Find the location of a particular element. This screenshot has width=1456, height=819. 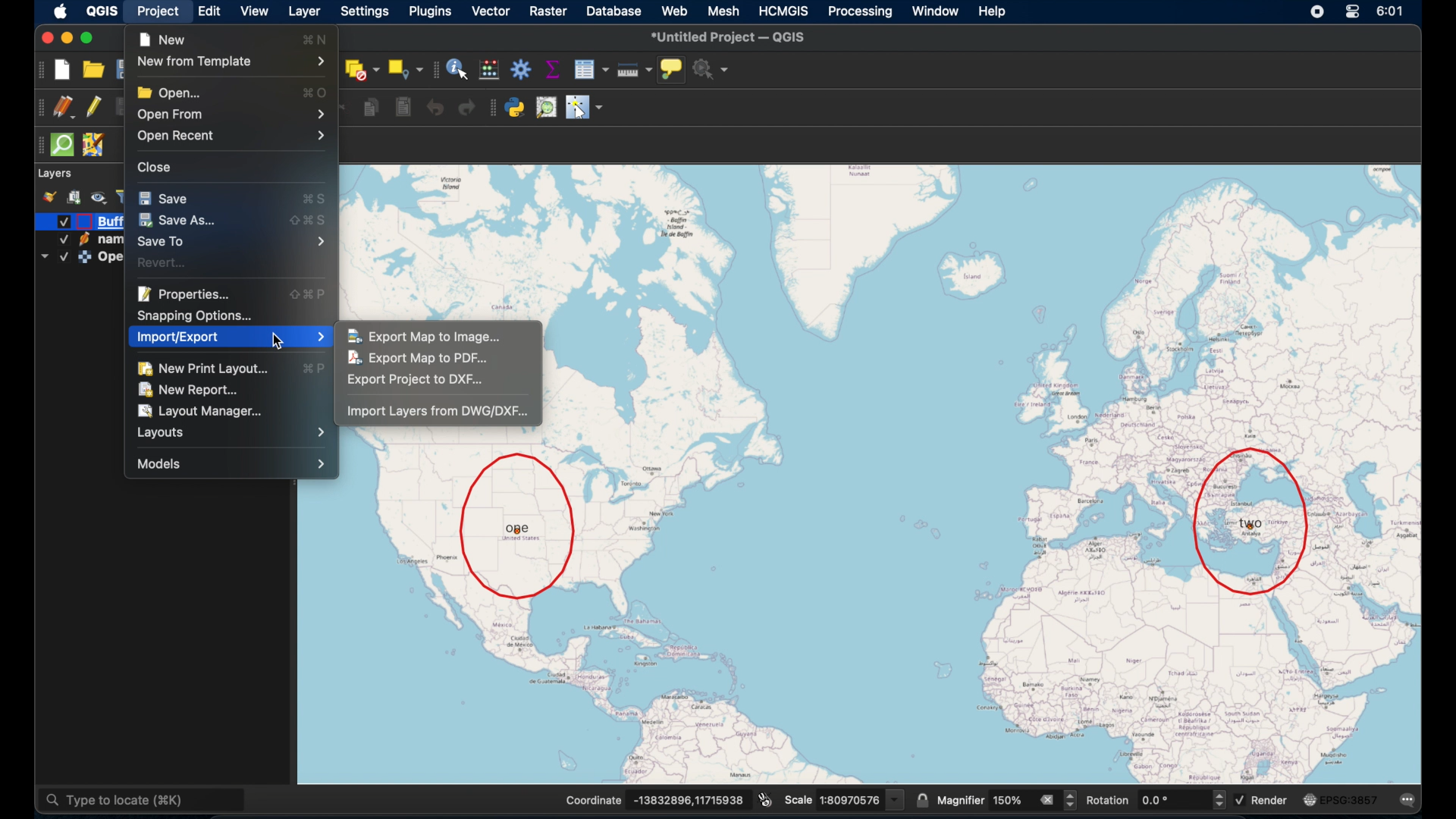

command S is located at coordinates (322, 197).